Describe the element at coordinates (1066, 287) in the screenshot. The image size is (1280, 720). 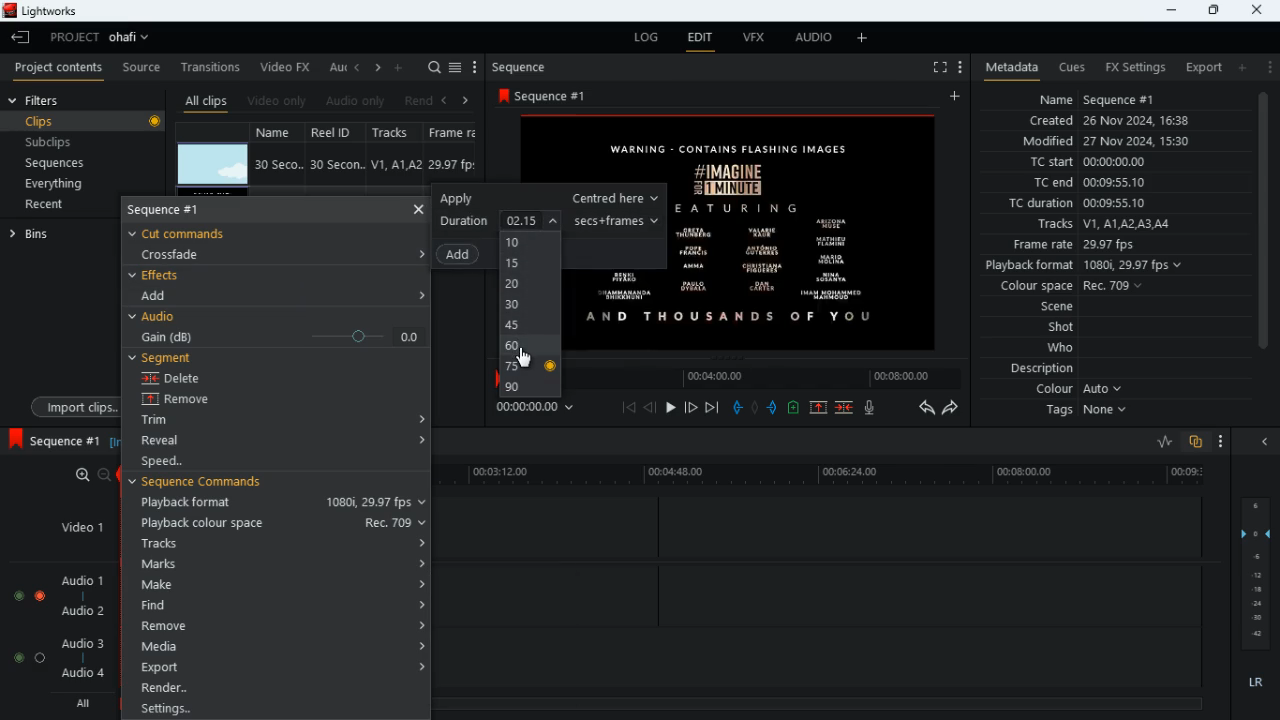
I see `colour space` at that location.